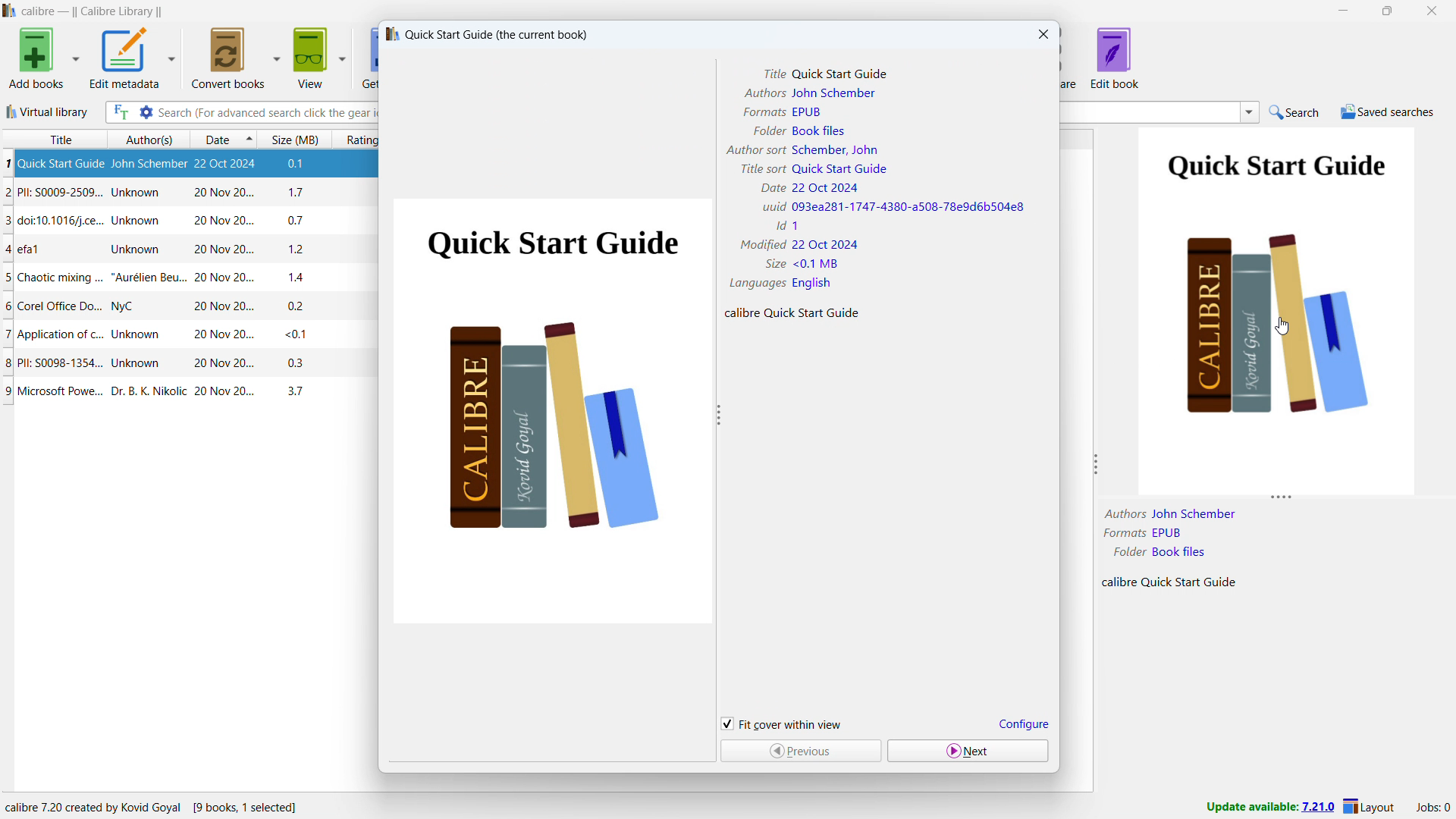  Describe the element at coordinates (765, 245) in the screenshot. I see `Modified` at that location.